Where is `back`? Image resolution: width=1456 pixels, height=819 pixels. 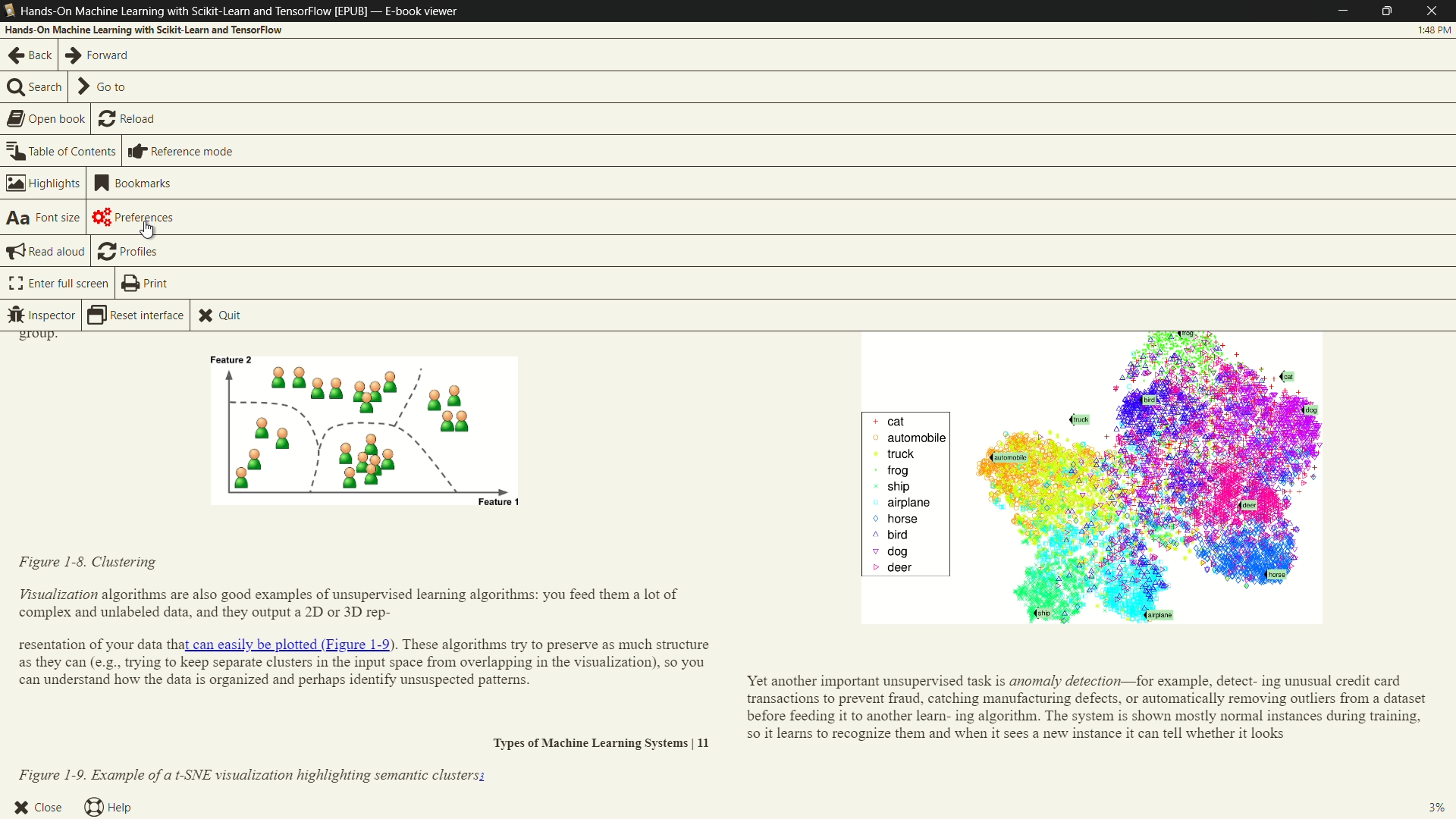 back is located at coordinates (29, 55).